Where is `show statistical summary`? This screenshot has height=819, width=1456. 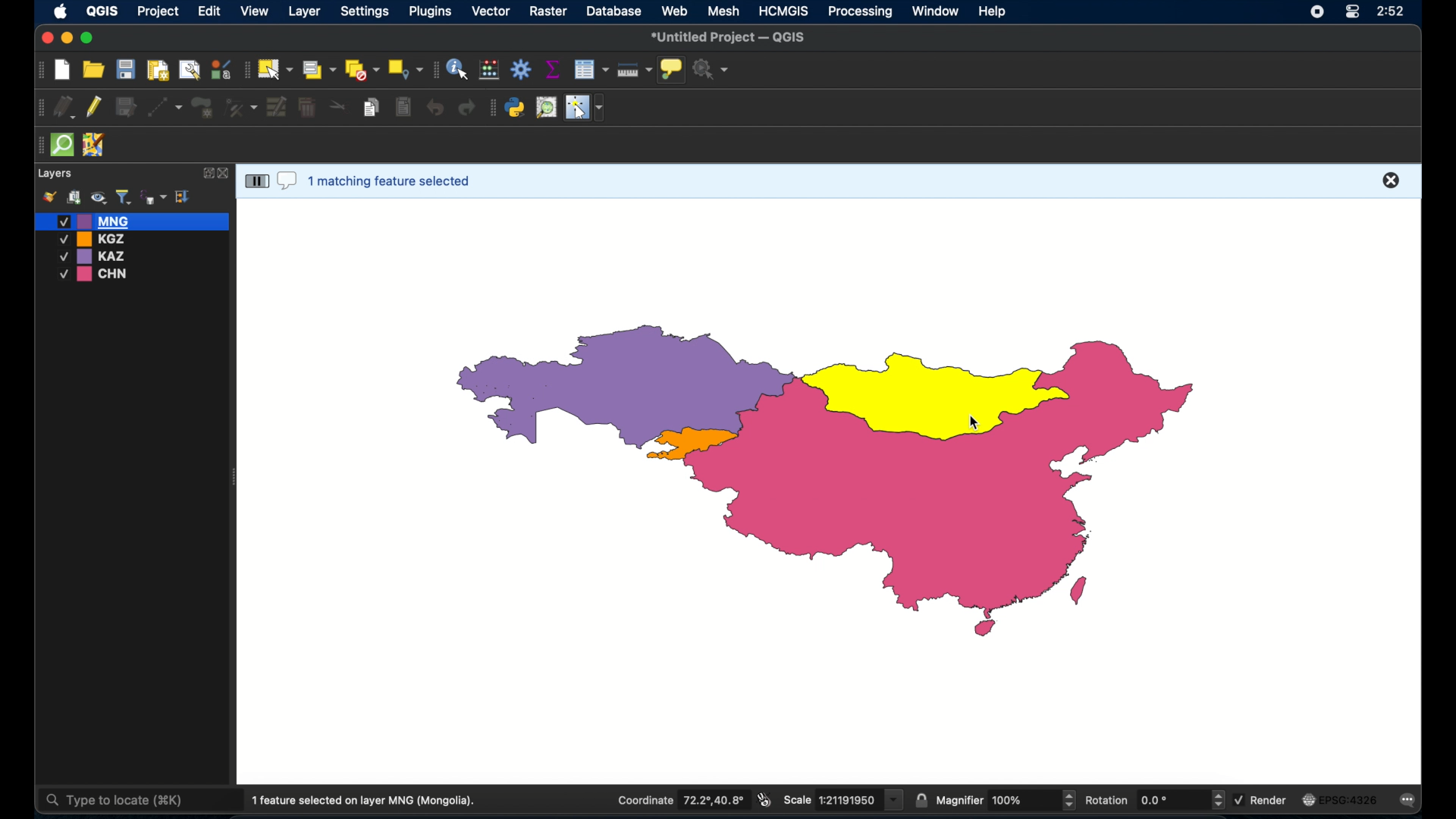
show statistical summary is located at coordinates (552, 69).